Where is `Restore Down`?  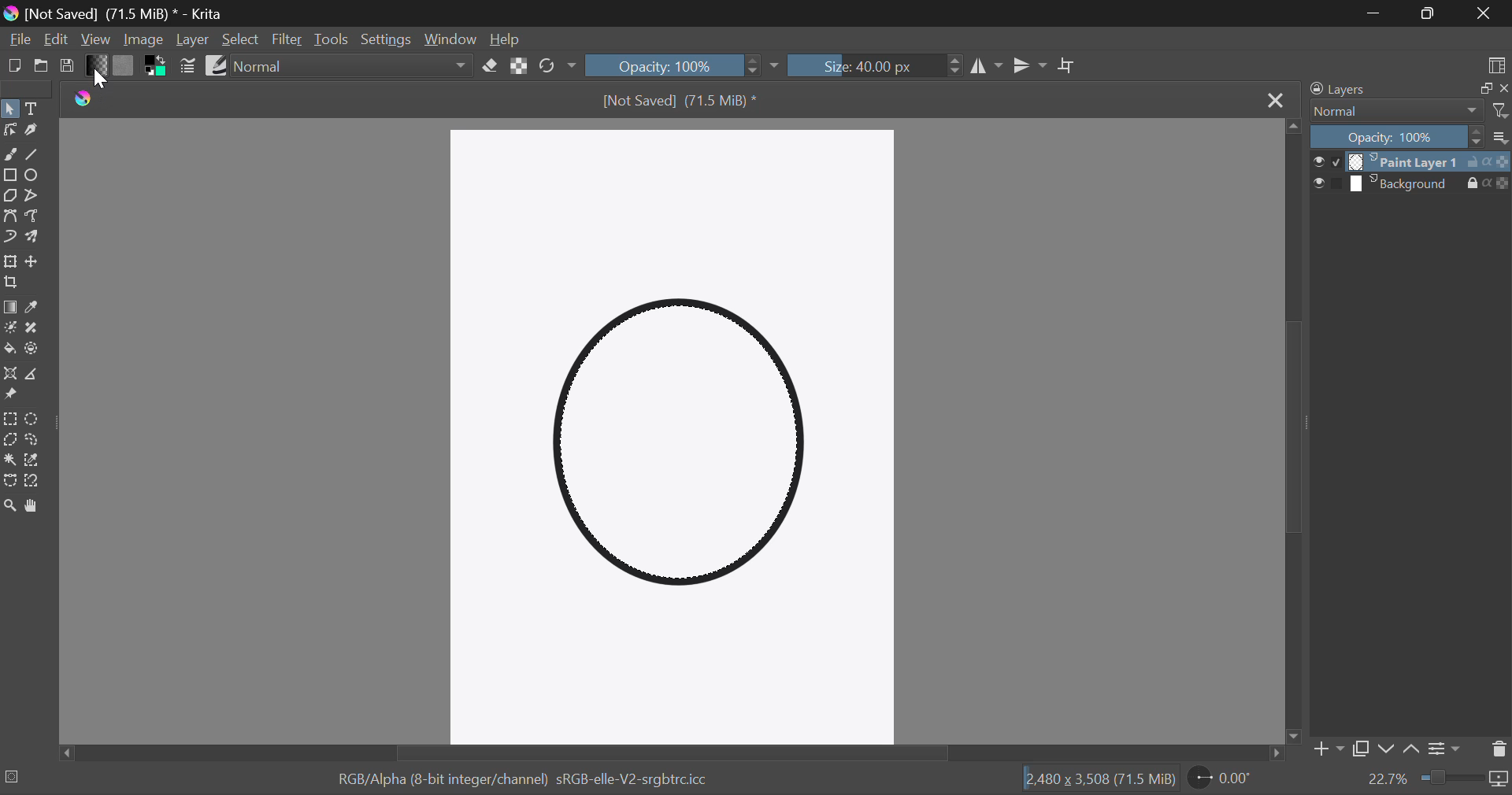
Restore Down is located at coordinates (1374, 14).